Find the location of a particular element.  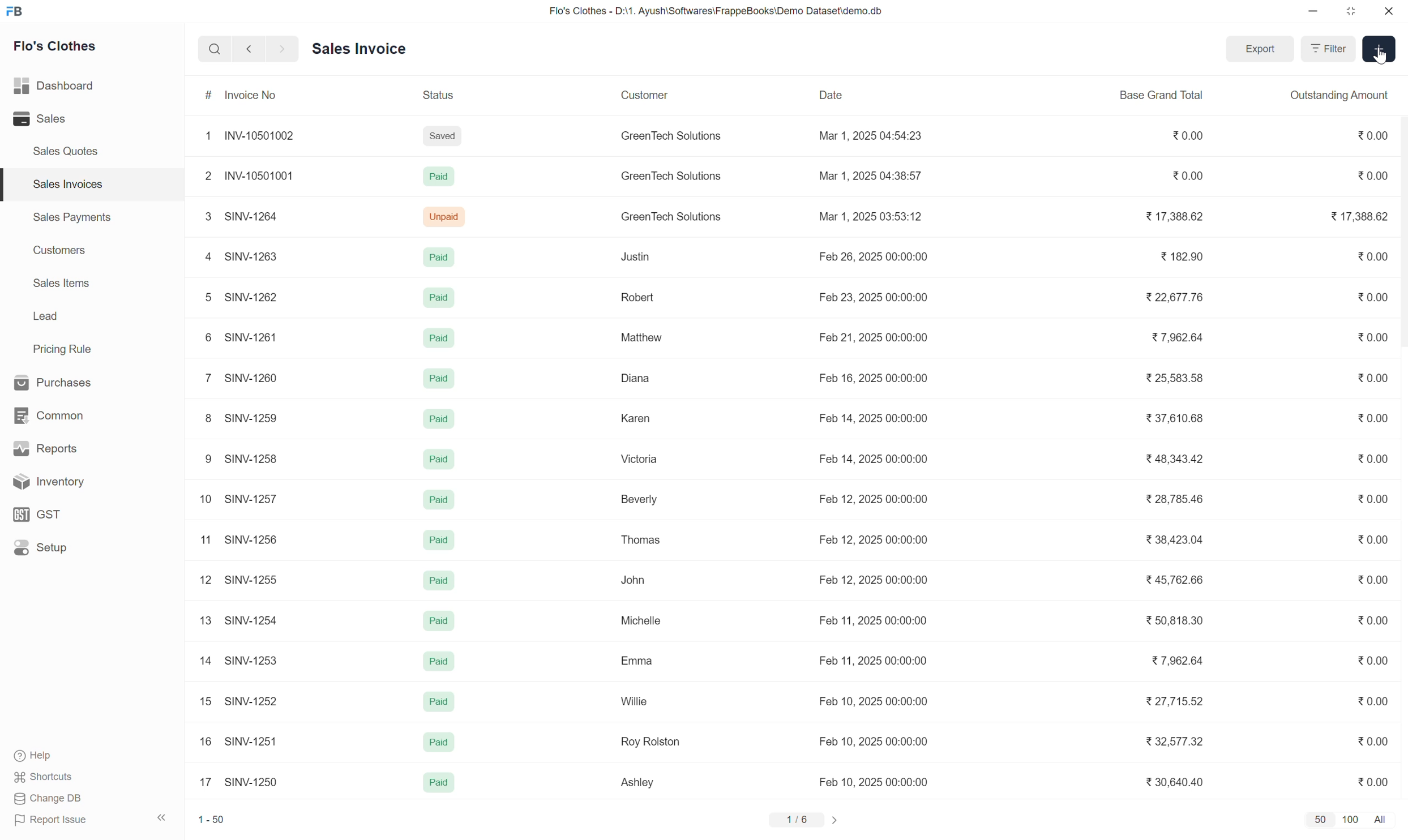

GreenTech Solutions is located at coordinates (673, 140).